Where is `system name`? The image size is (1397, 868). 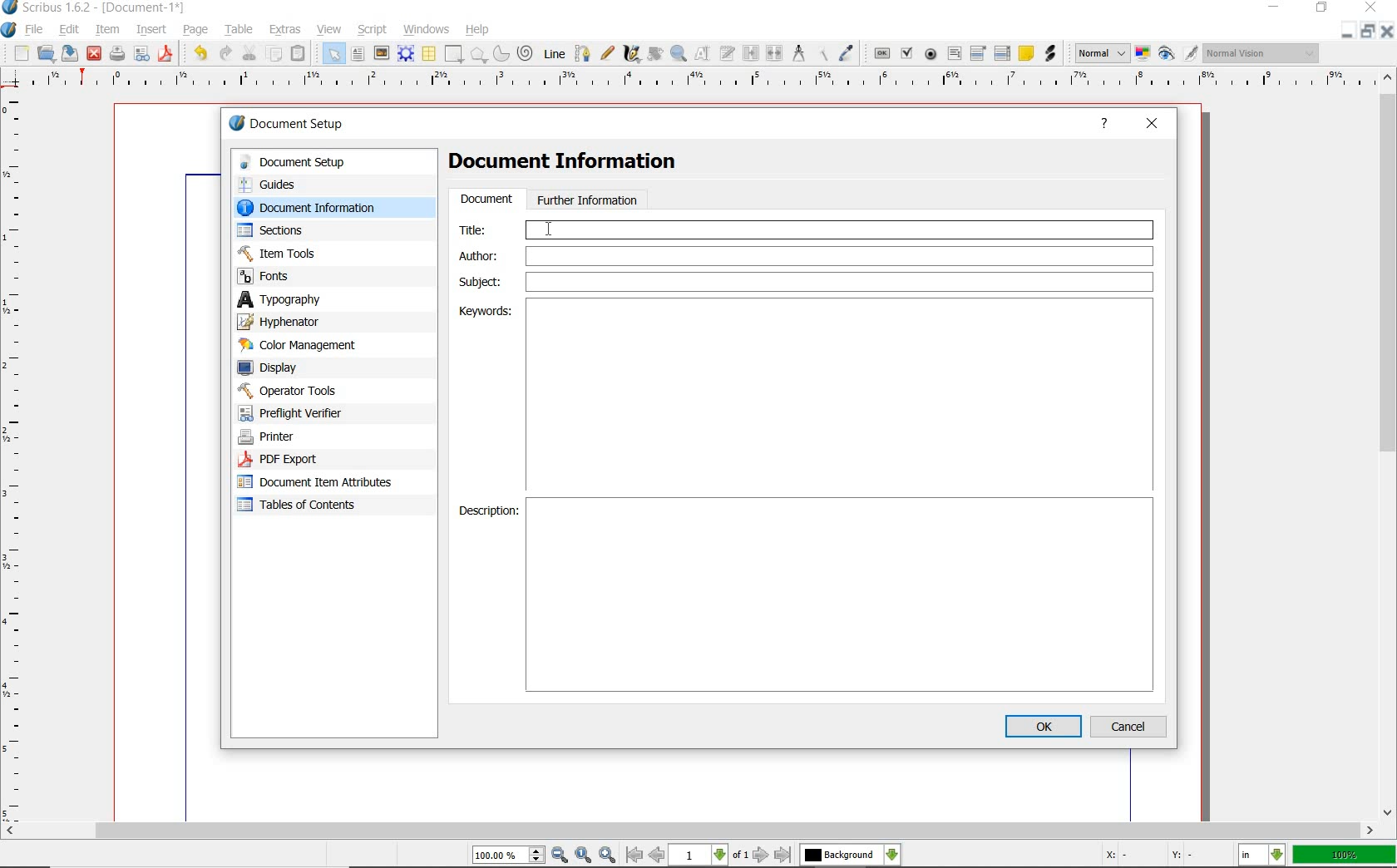 system name is located at coordinates (94, 8).